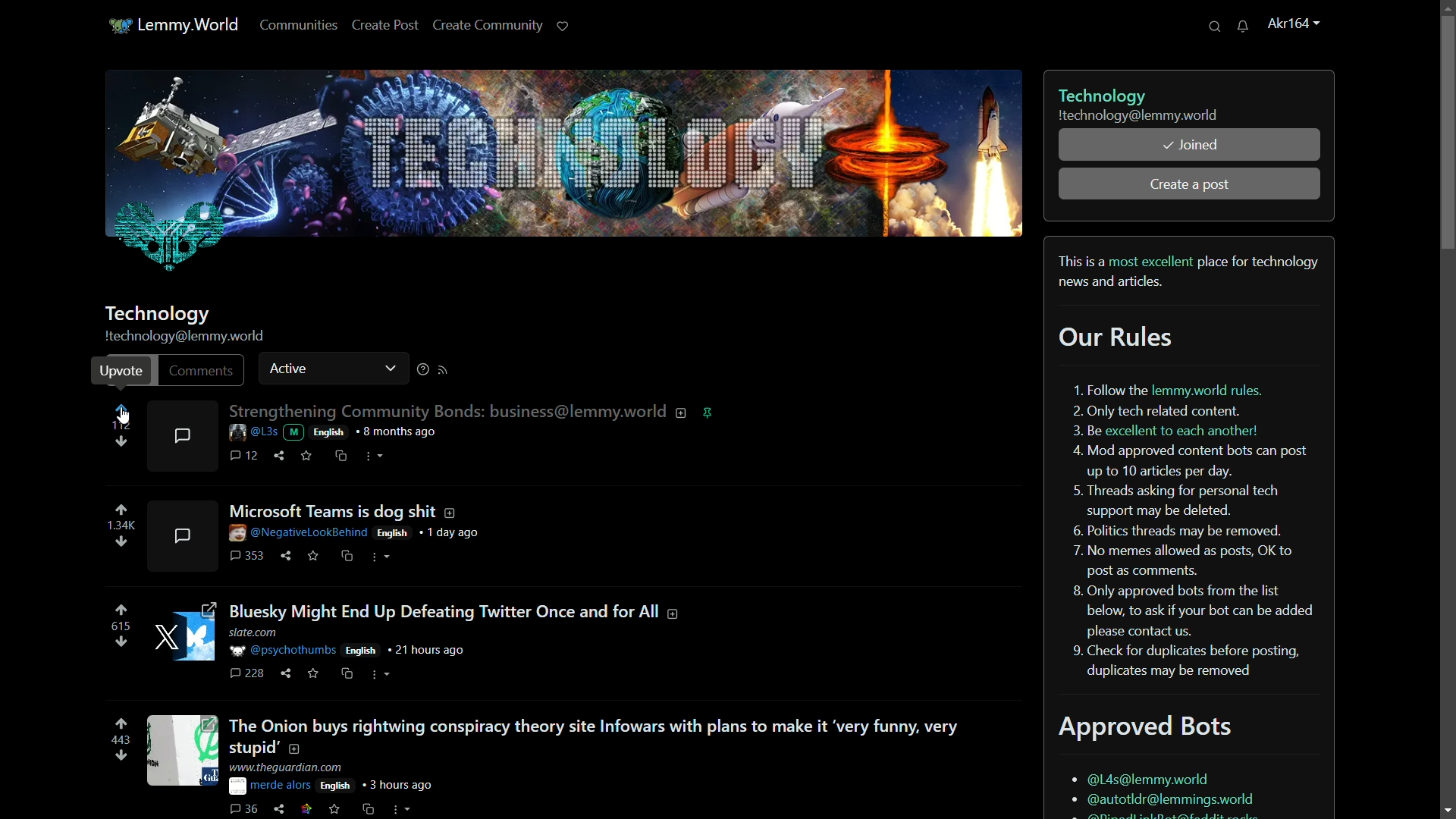 The image size is (1456, 819). What do you see at coordinates (1188, 146) in the screenshot?
I see `joined` at bounding box center [1188, 146].